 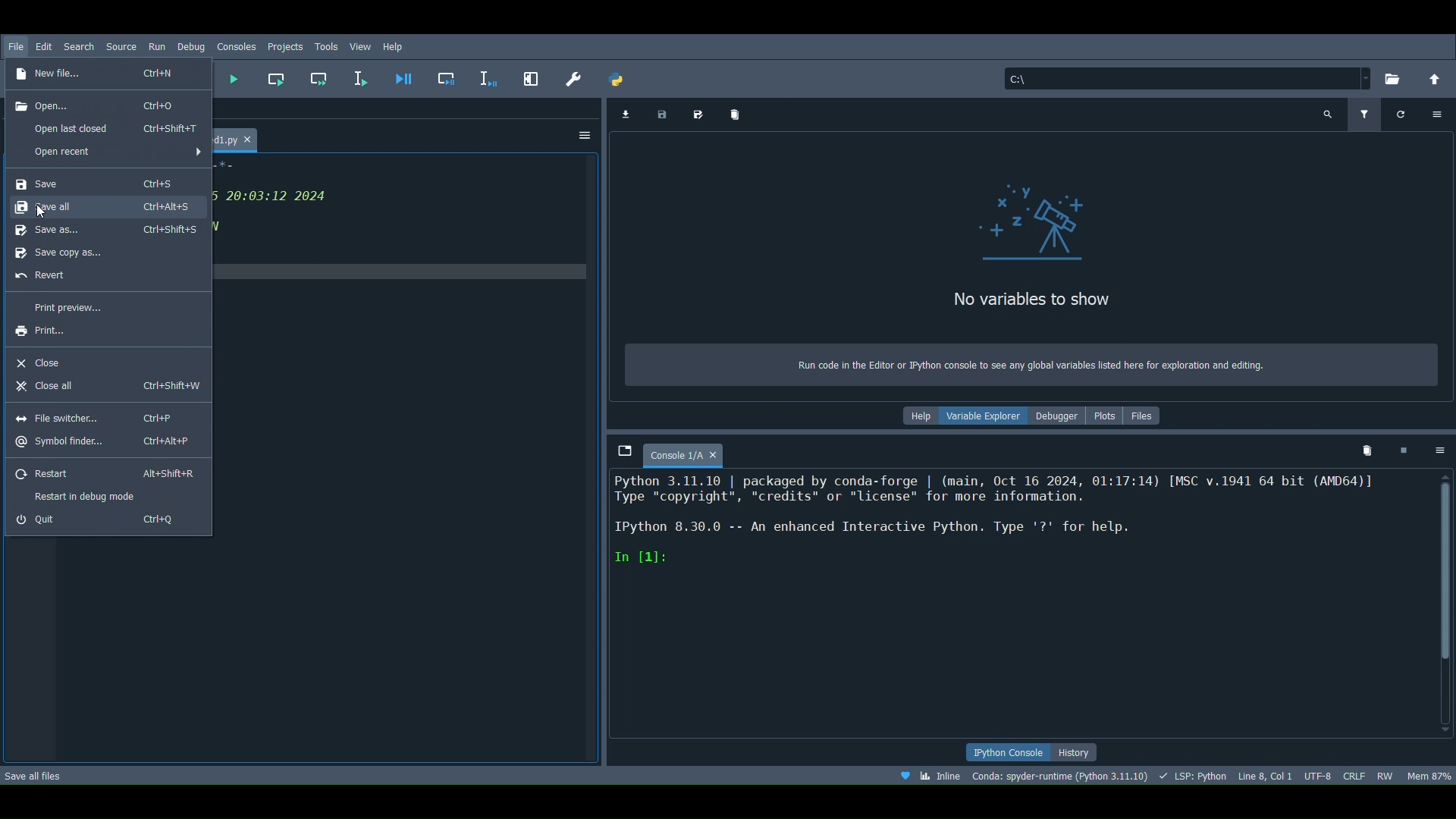 What do you see at coordinates (1447, 604) in the screenshot?
I see `Scrollbar` at bounding box center [1447, 604].